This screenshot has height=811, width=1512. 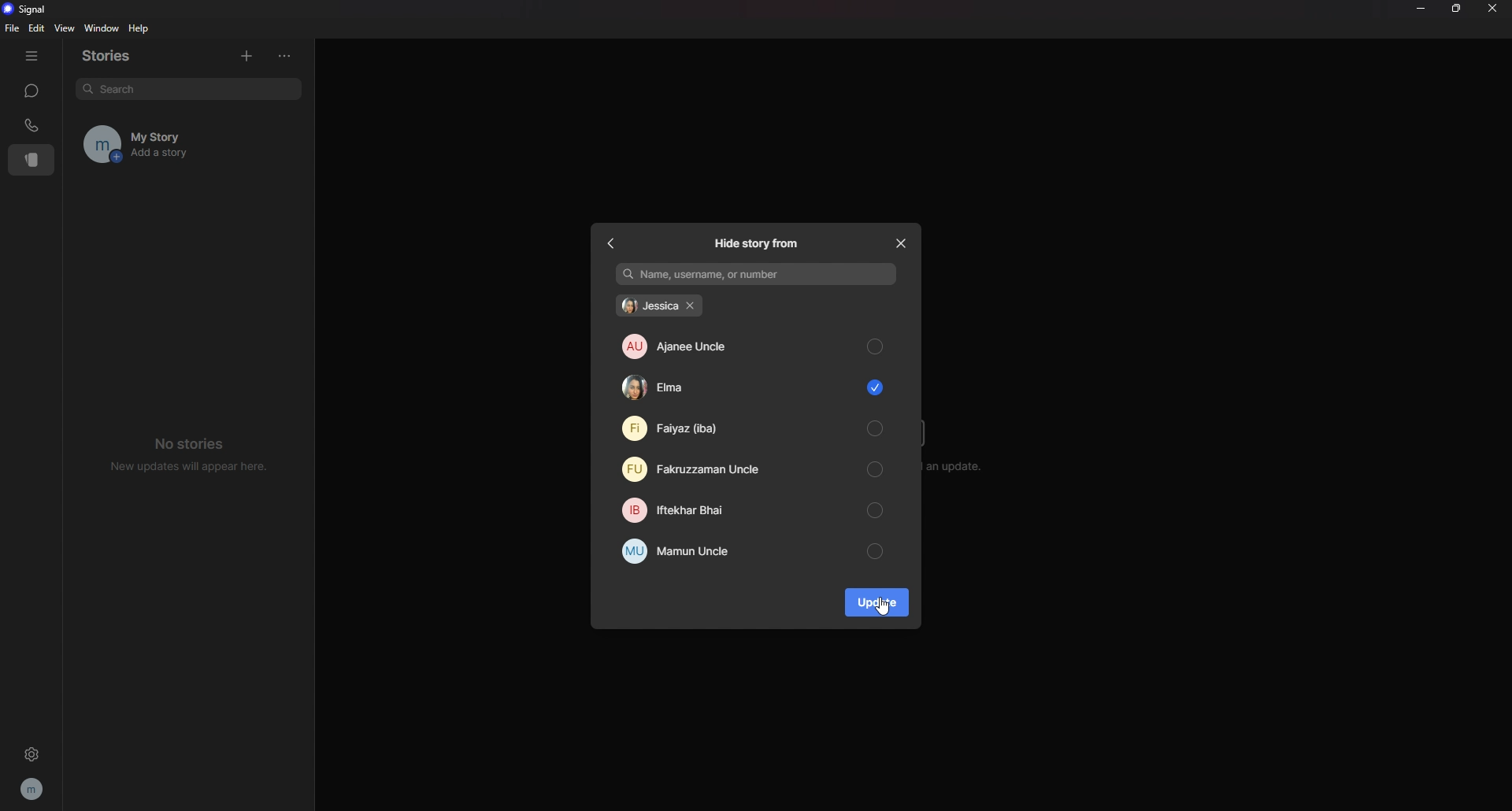 I want to click on remove, so click(x=691, y=306).